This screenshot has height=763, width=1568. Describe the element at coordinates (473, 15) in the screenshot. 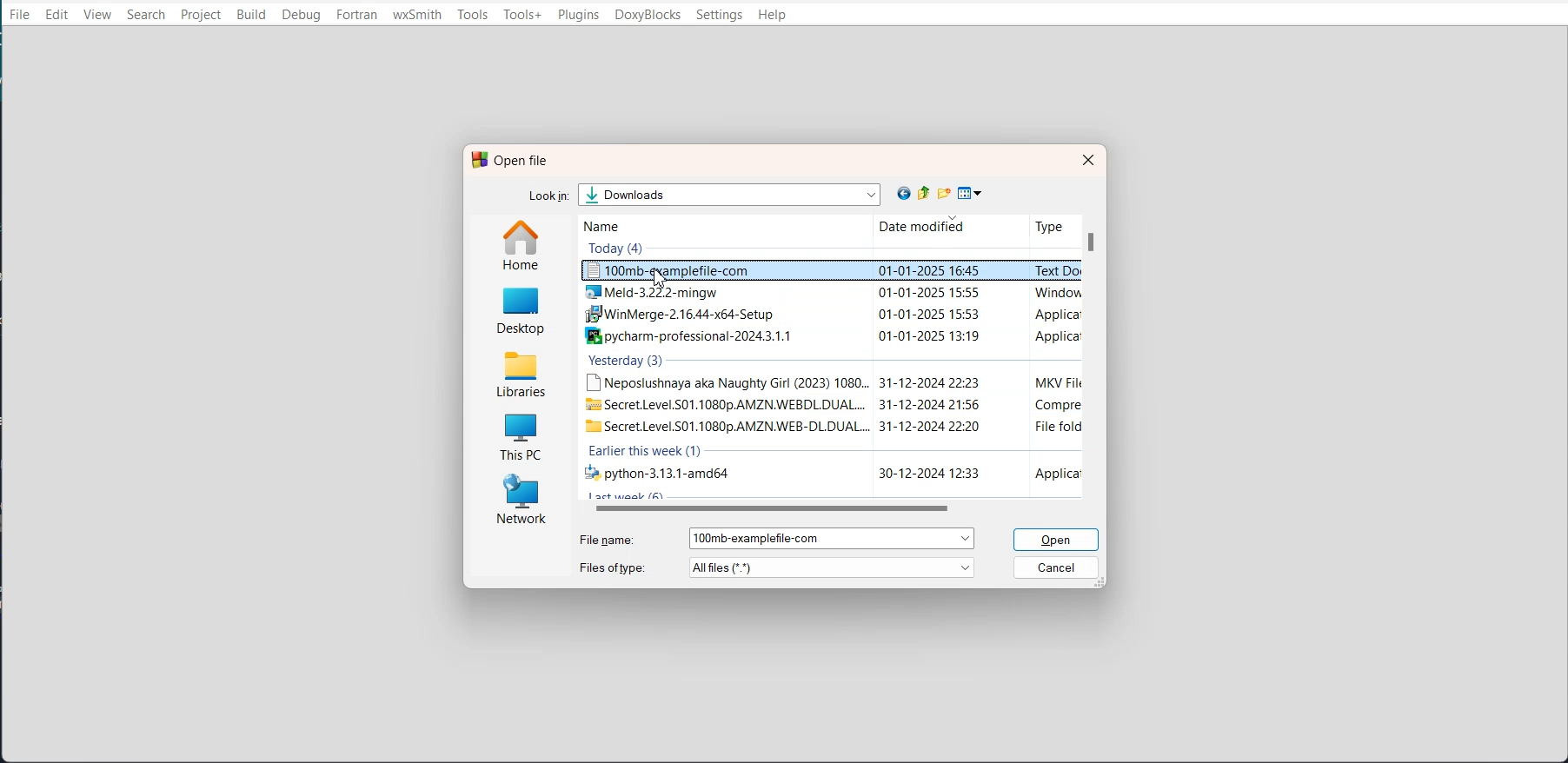

I see `Tools` at that location.